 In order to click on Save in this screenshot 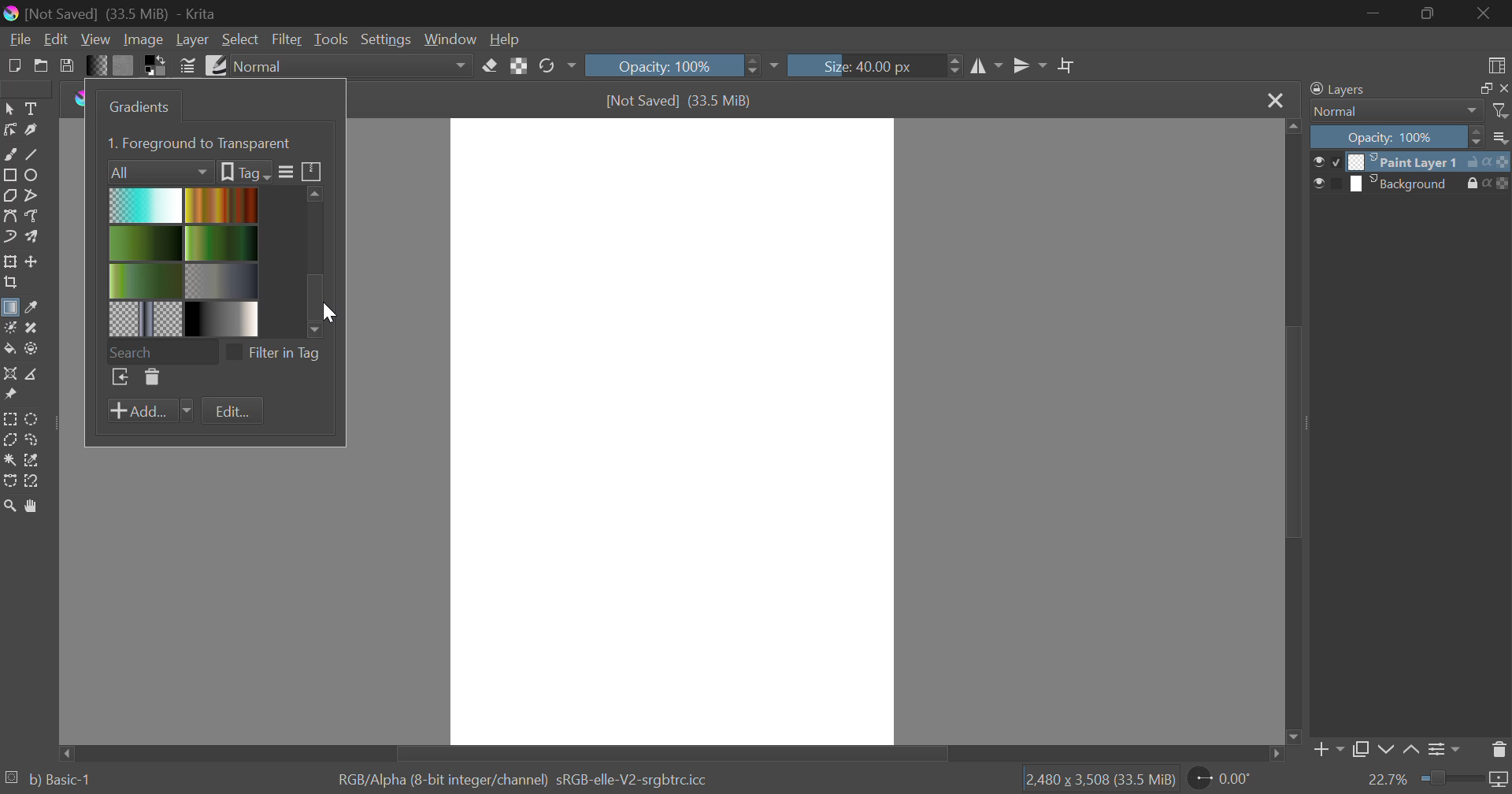, I will do `click(68, 65)`.